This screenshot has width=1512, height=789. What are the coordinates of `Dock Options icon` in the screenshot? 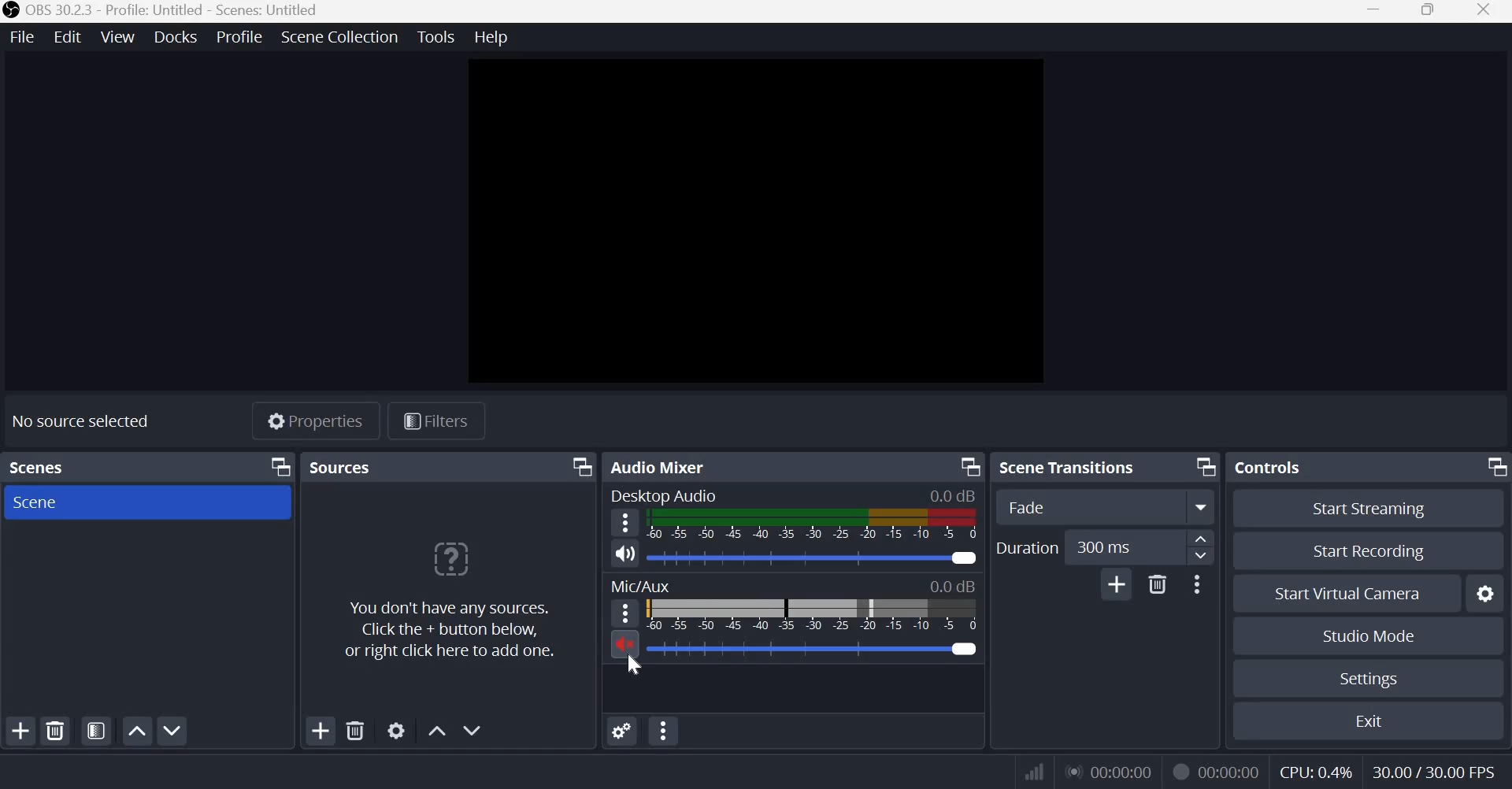 It's located at (279, 466).